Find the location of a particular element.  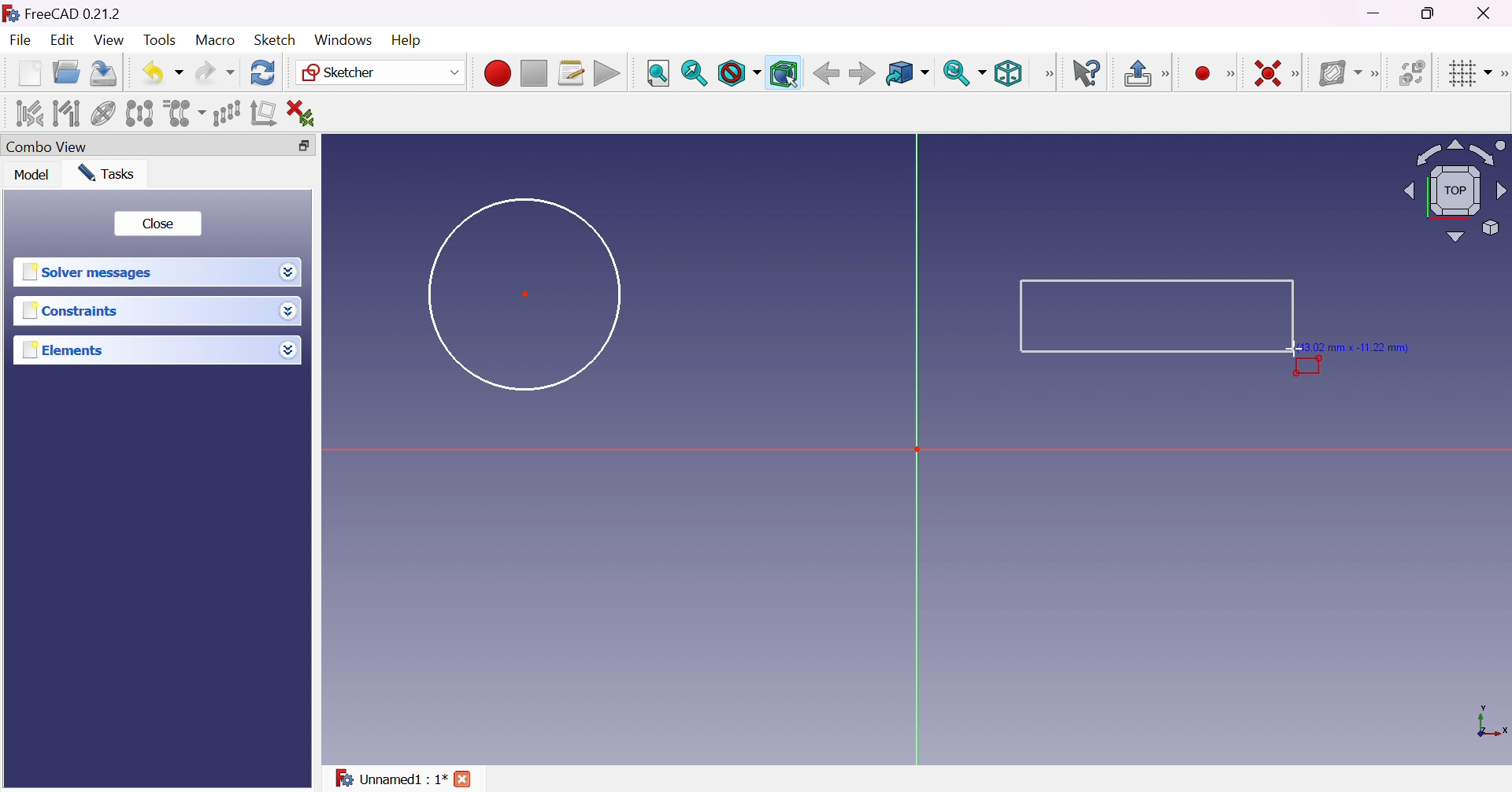

Go to linked object is located at coordinates (906, 74).